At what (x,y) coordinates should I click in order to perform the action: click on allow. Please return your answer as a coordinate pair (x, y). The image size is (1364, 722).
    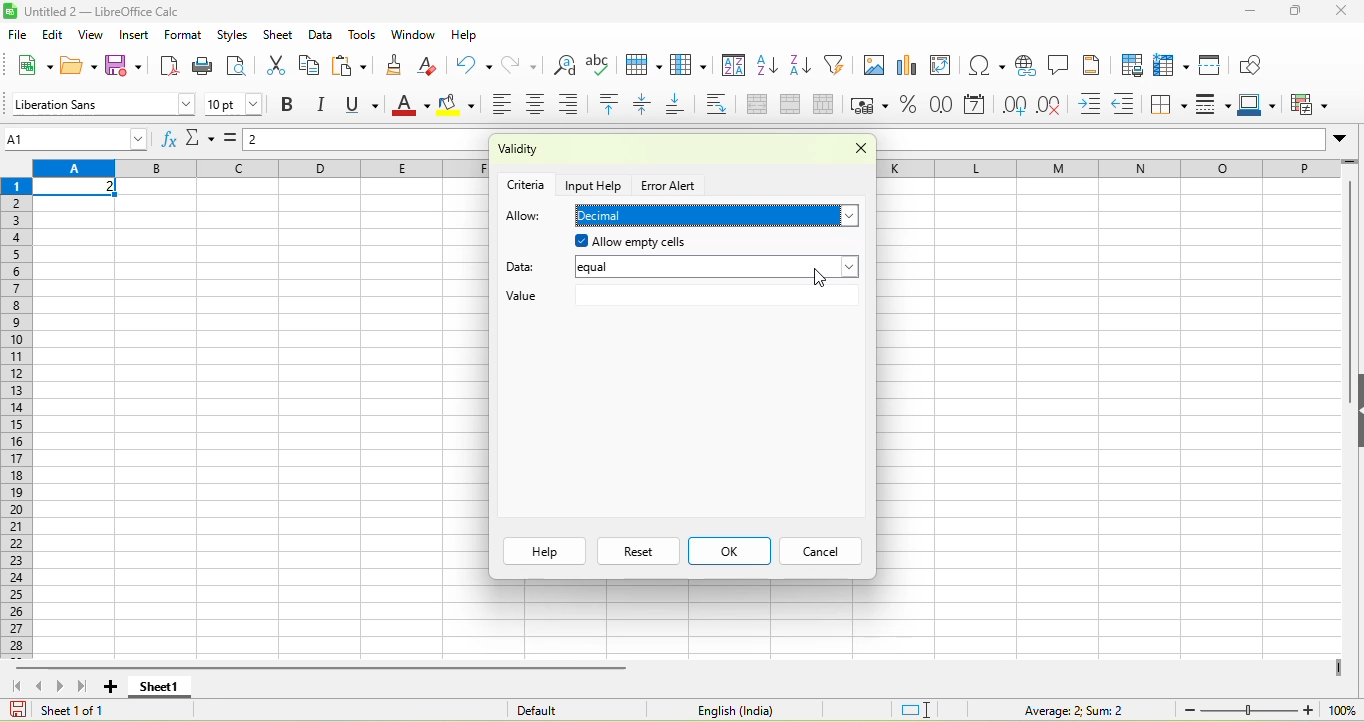
    Looking at the image, I should click on (524, 217).